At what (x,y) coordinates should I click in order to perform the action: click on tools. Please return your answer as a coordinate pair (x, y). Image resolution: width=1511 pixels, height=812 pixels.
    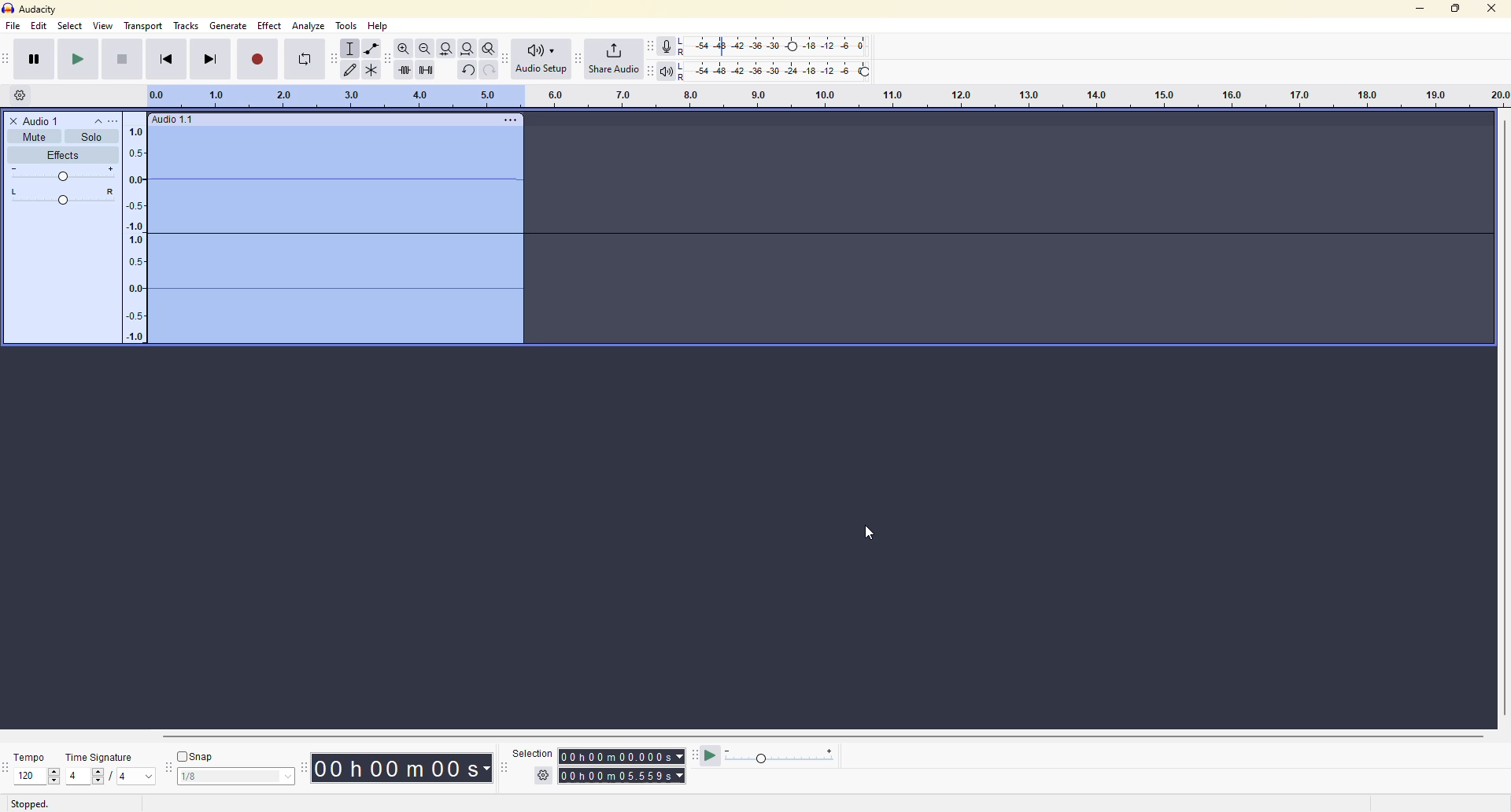
    Looking at the image, I should click on (345, 25).